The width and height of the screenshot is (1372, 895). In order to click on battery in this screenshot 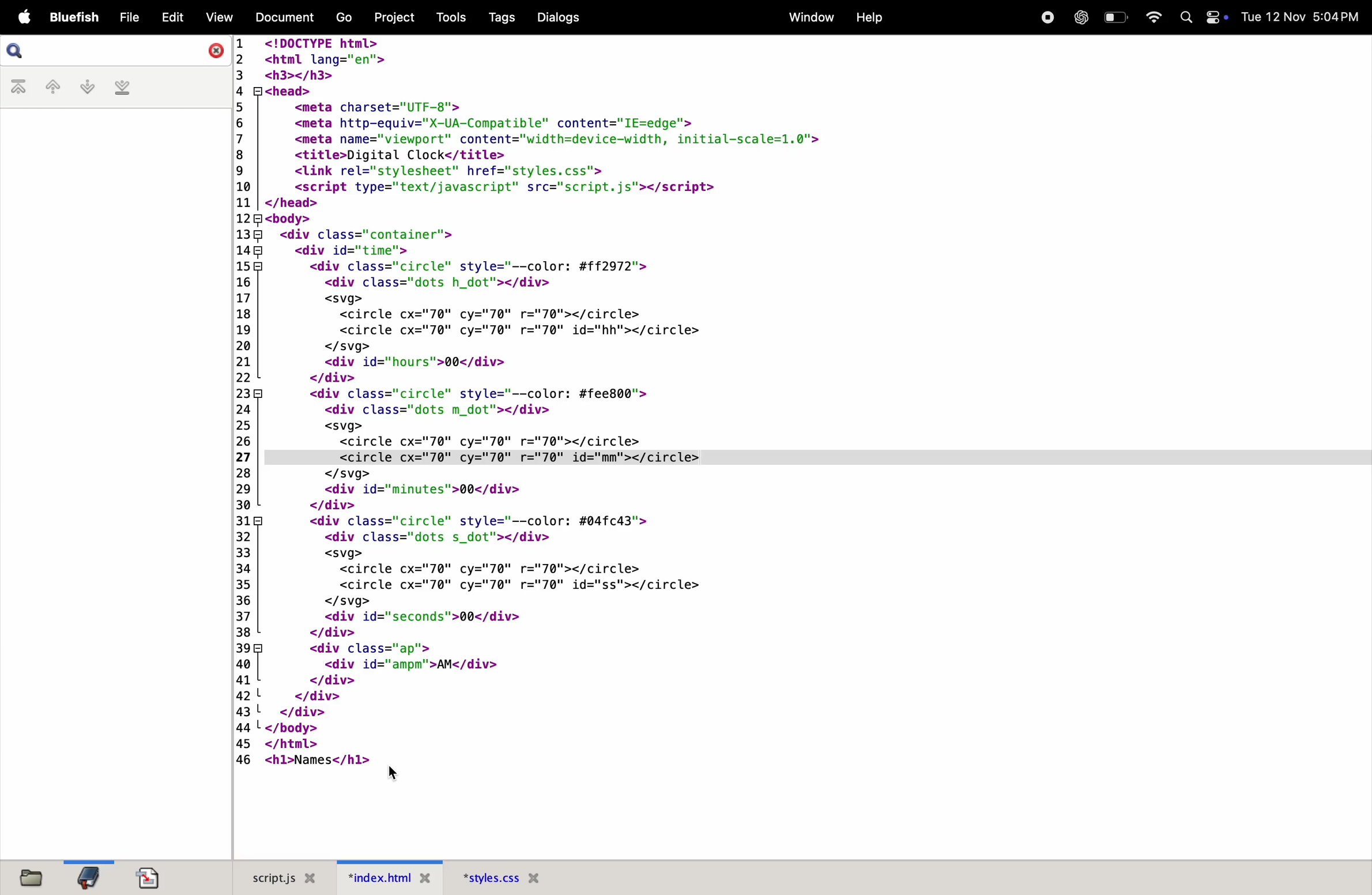, I will do `click(1118, 17)`.